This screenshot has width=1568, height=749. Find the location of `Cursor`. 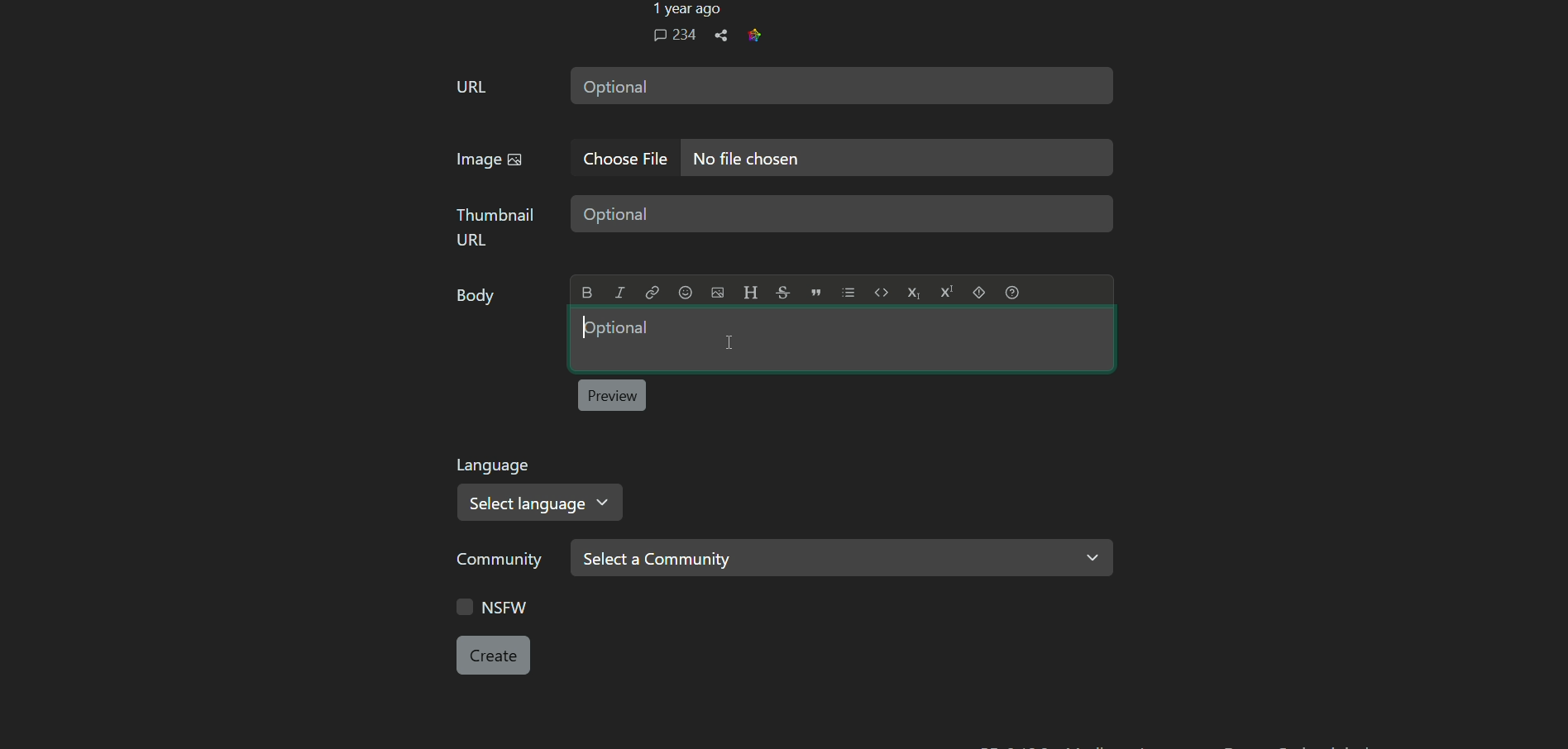

Cursor is located at coordinates (729, 342).